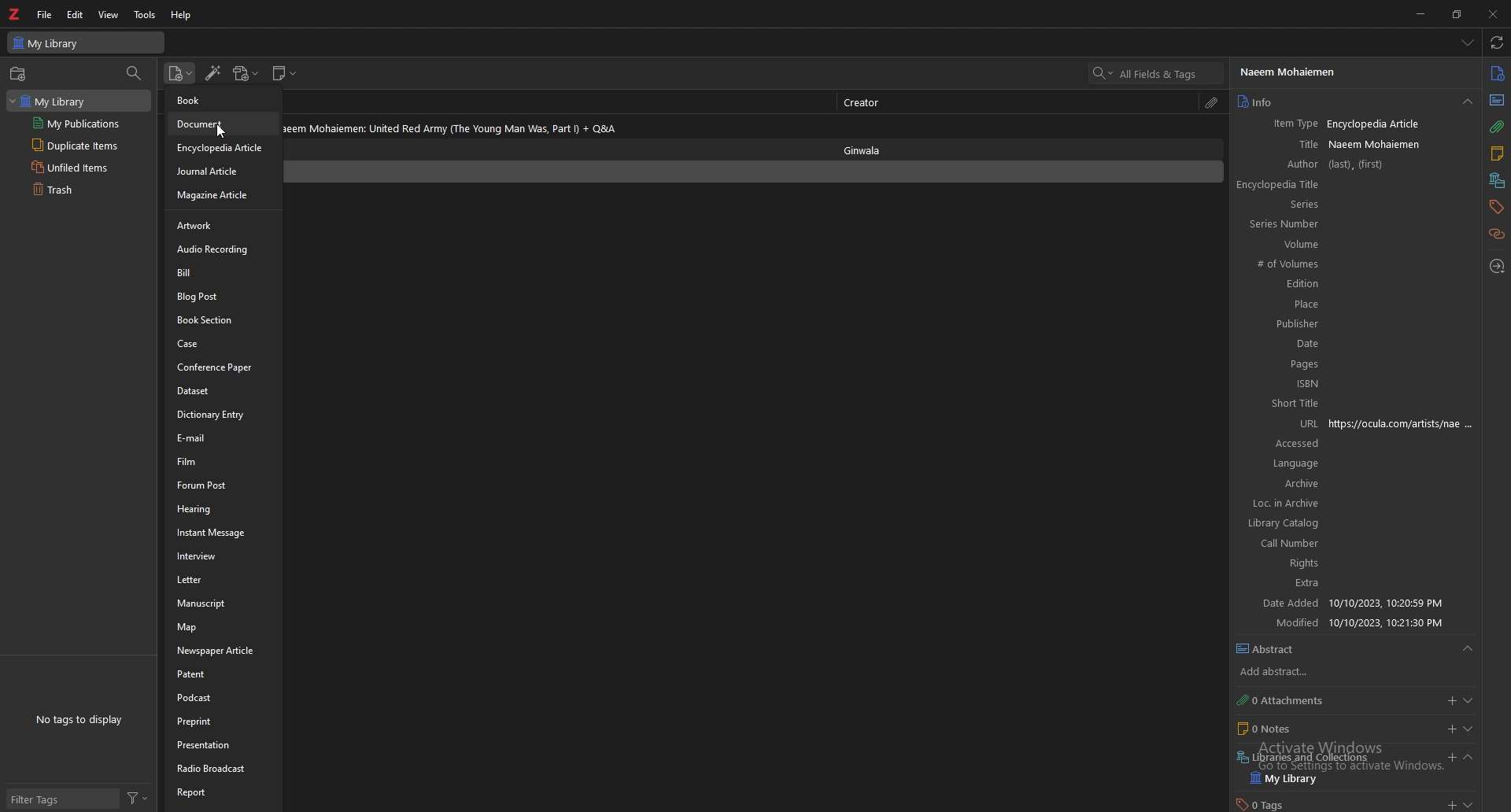 The height and width of the screenshot is (812, 1511). Describe the element at coordinates (1281, 124) in the screenshot. I see `item type` at that location.